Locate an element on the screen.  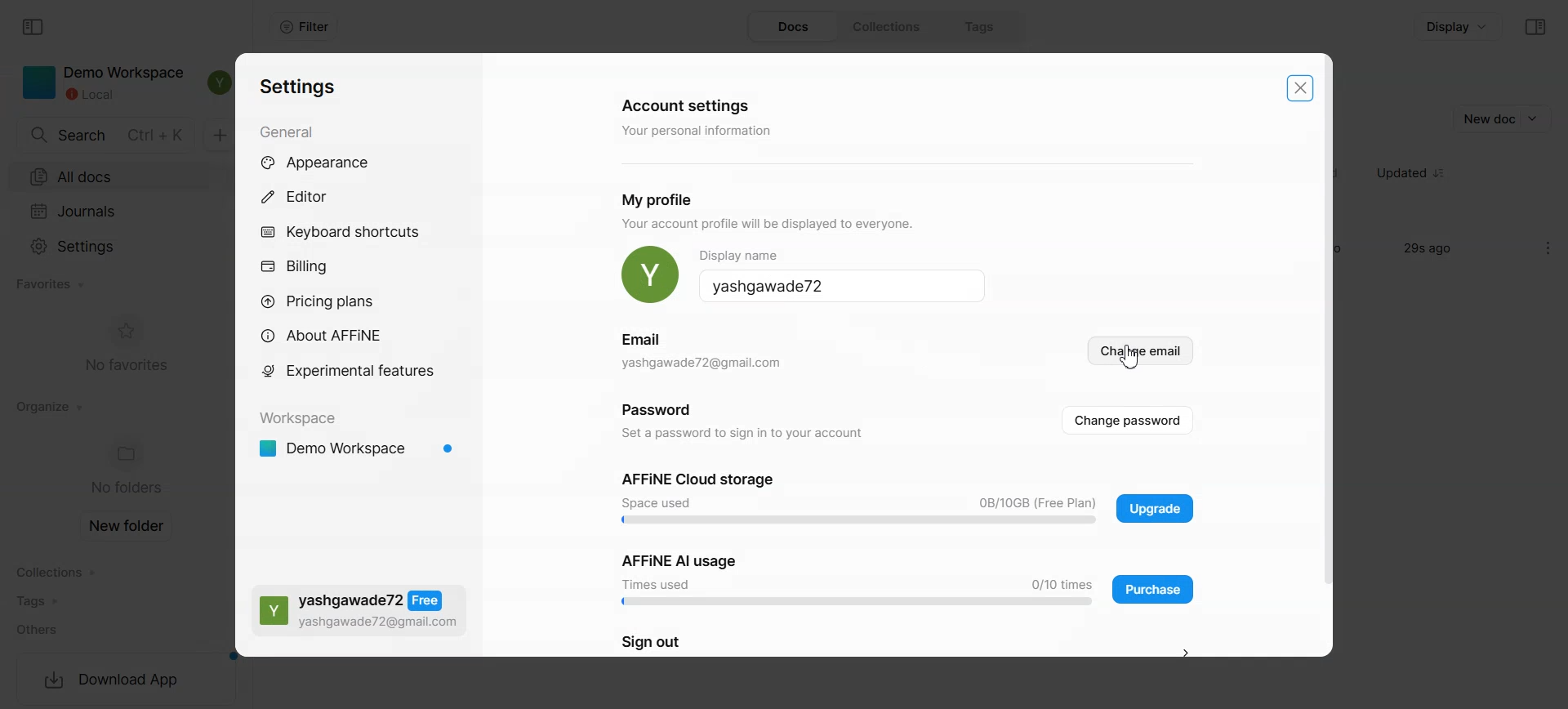
Usage display bar is located at coordinates (856, 592).